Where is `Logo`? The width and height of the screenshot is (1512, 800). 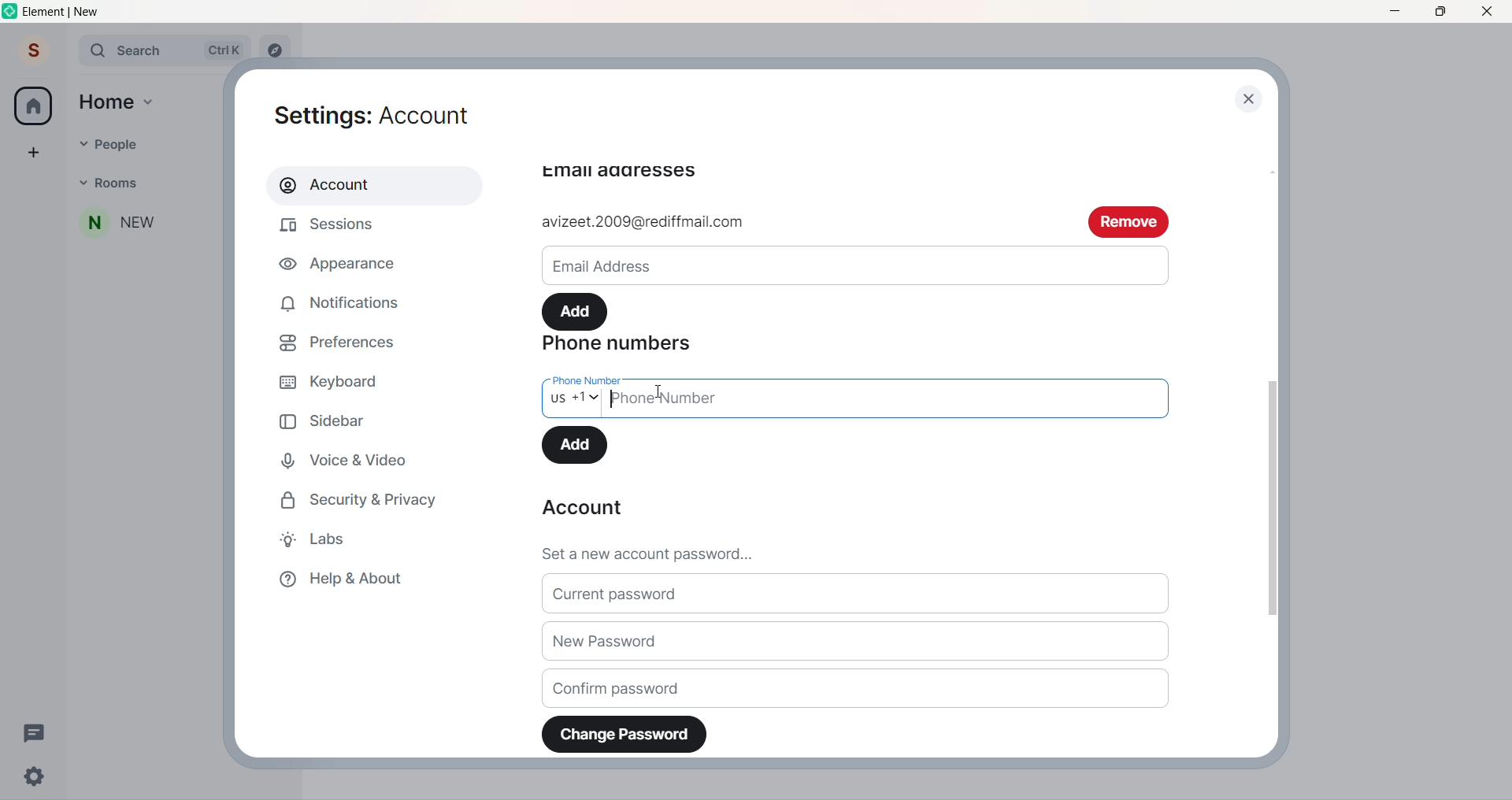
Logo is located at coordinates (9, 13).